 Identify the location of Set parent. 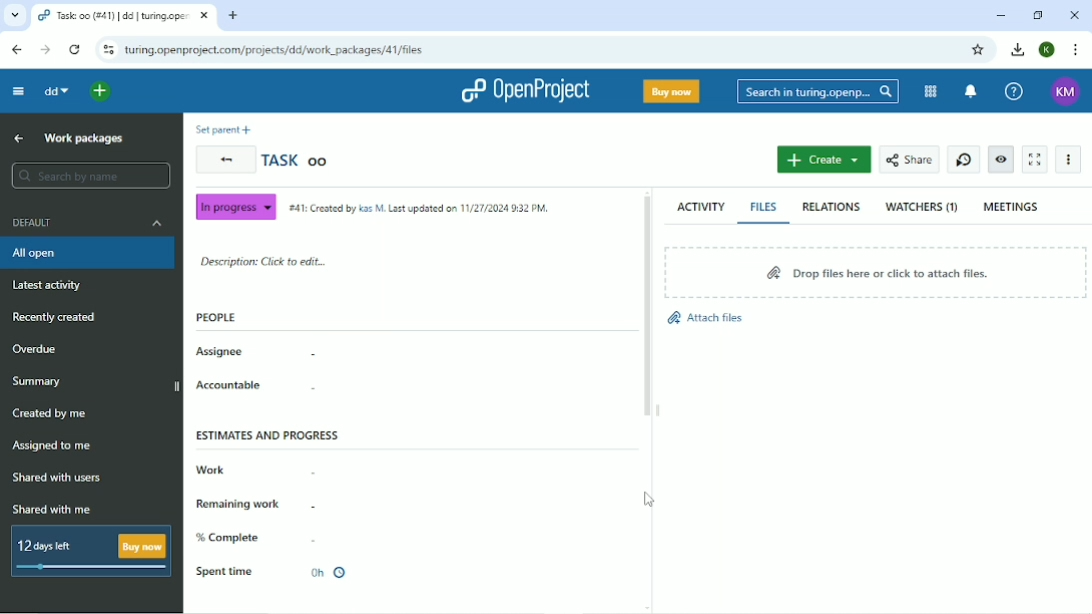
(222, 129).